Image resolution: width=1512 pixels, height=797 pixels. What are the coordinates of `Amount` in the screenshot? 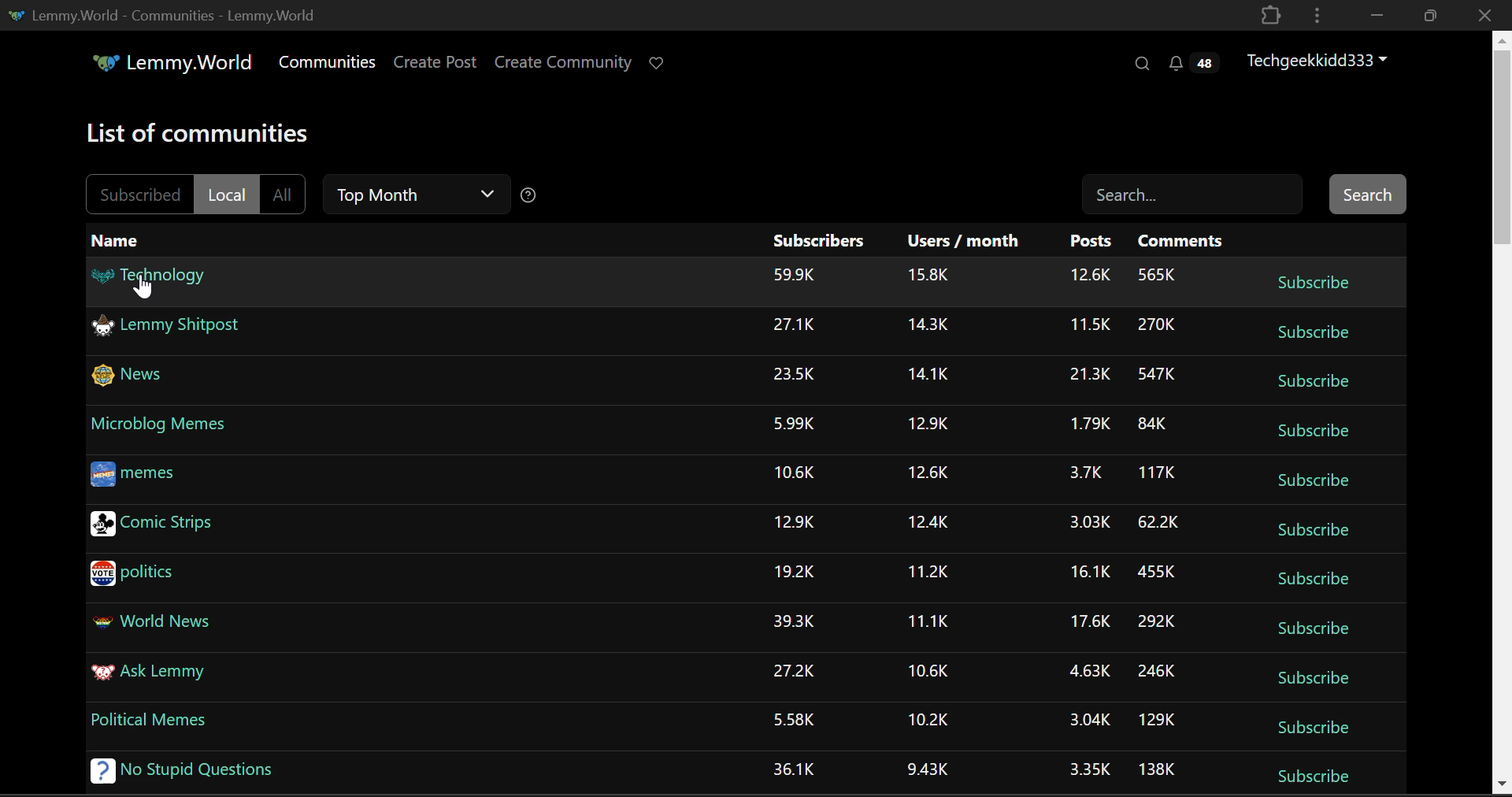 It's located at (1161, 767).